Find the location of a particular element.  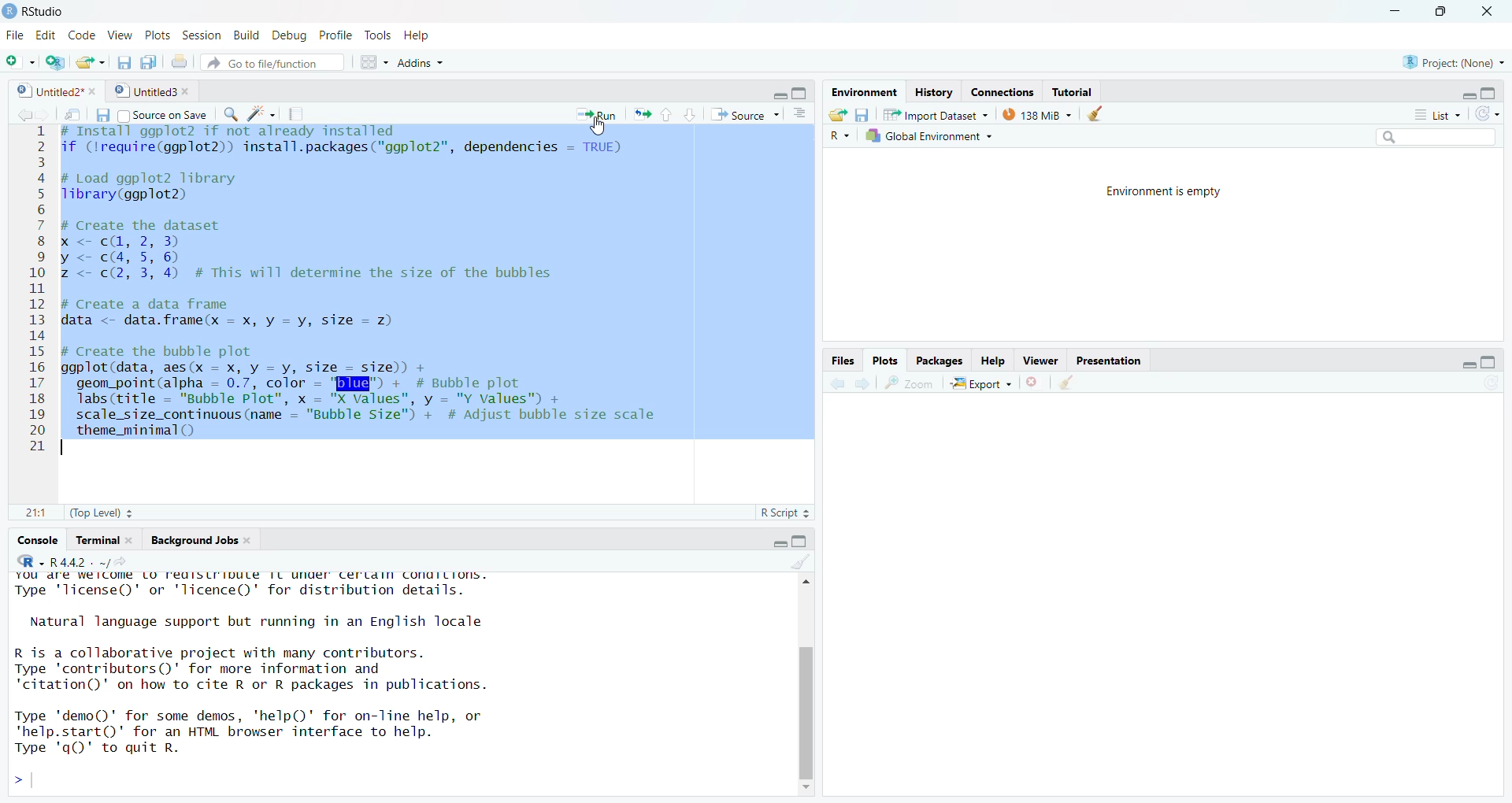

 is located at coordinates (13, 36).